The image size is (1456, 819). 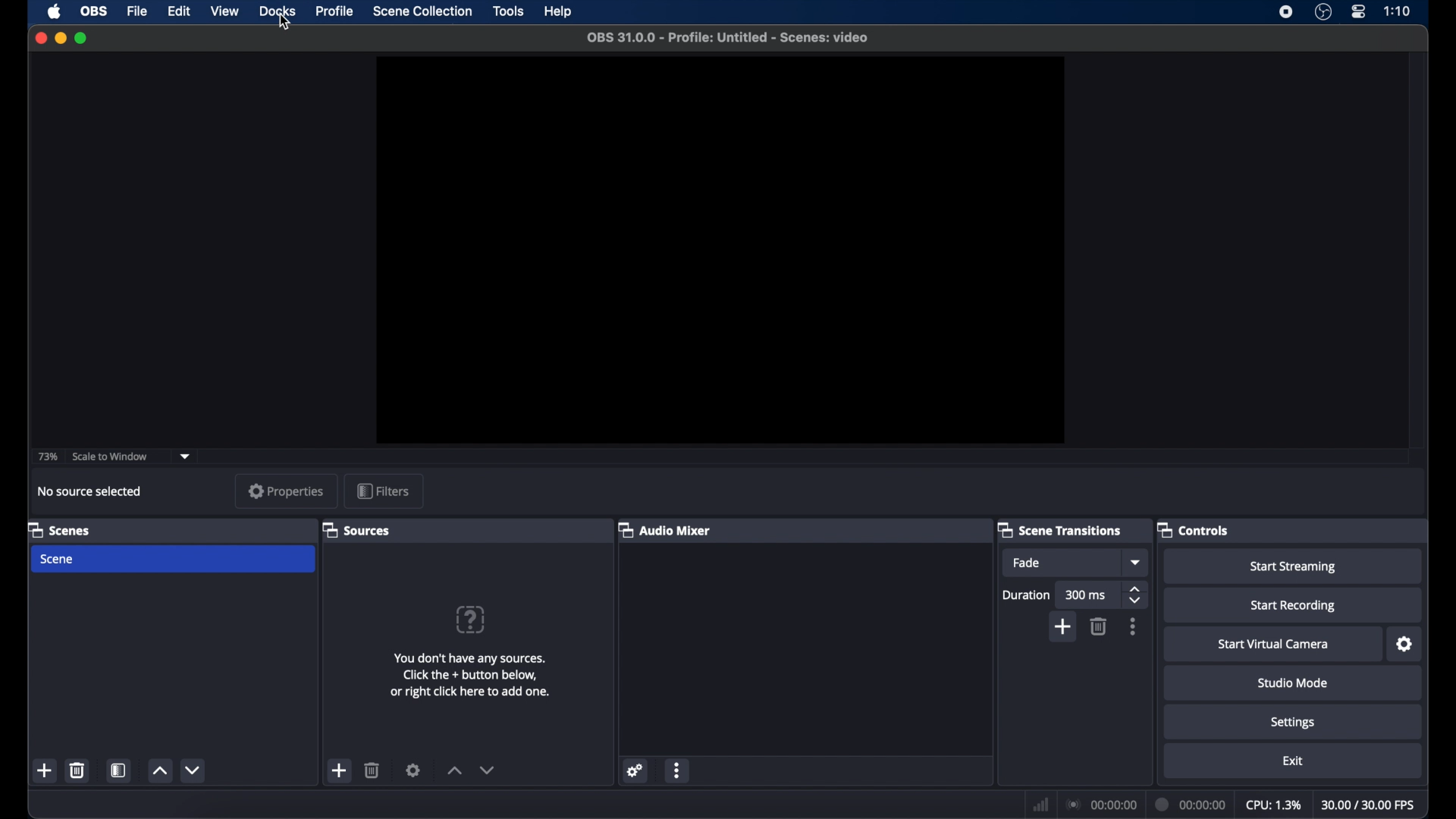 What do you see at coordinates (112, 457) in the screenshot?
I see `scale to window` at bounding box center [112, 457].